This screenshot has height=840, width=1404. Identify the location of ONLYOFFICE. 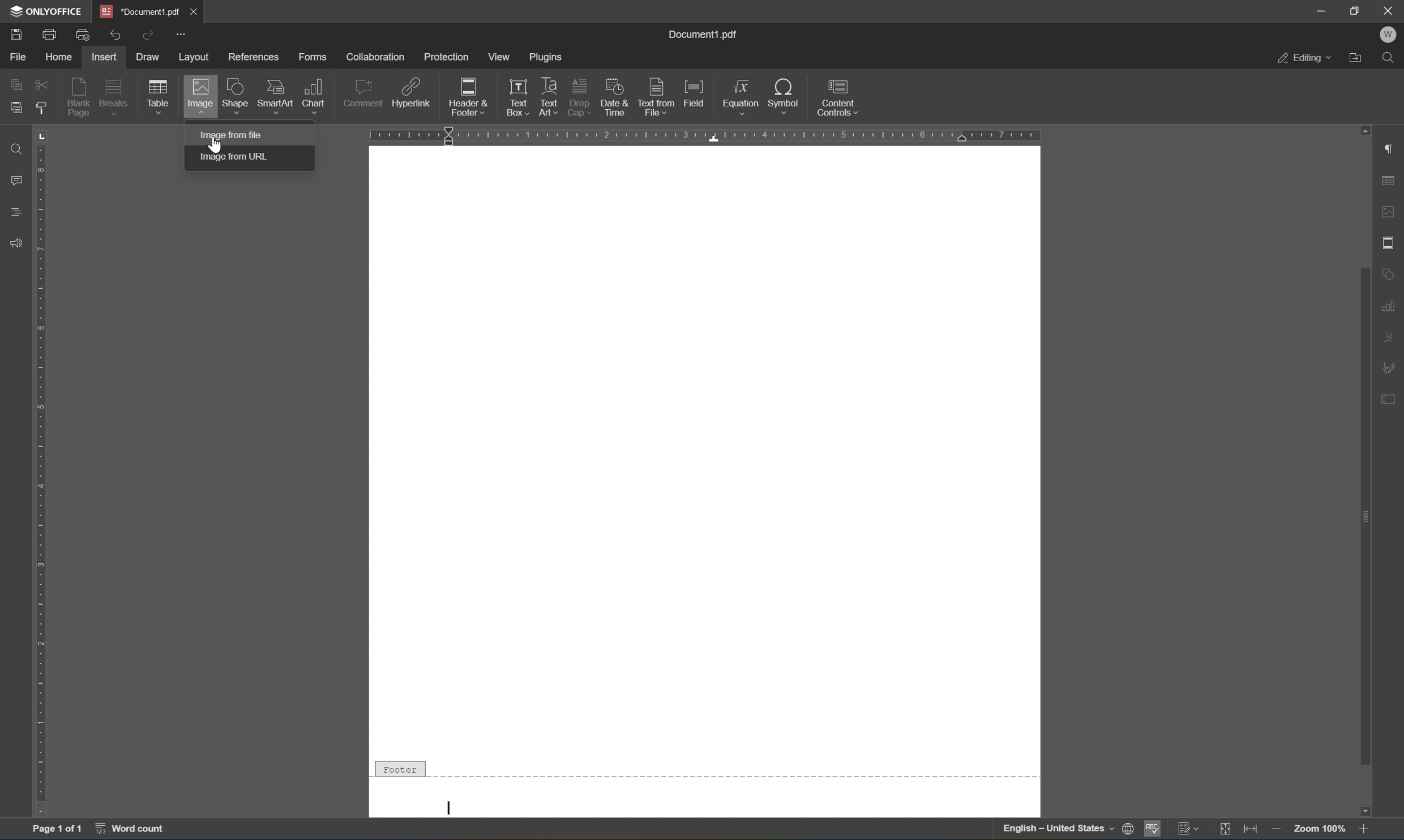
(46, 12).